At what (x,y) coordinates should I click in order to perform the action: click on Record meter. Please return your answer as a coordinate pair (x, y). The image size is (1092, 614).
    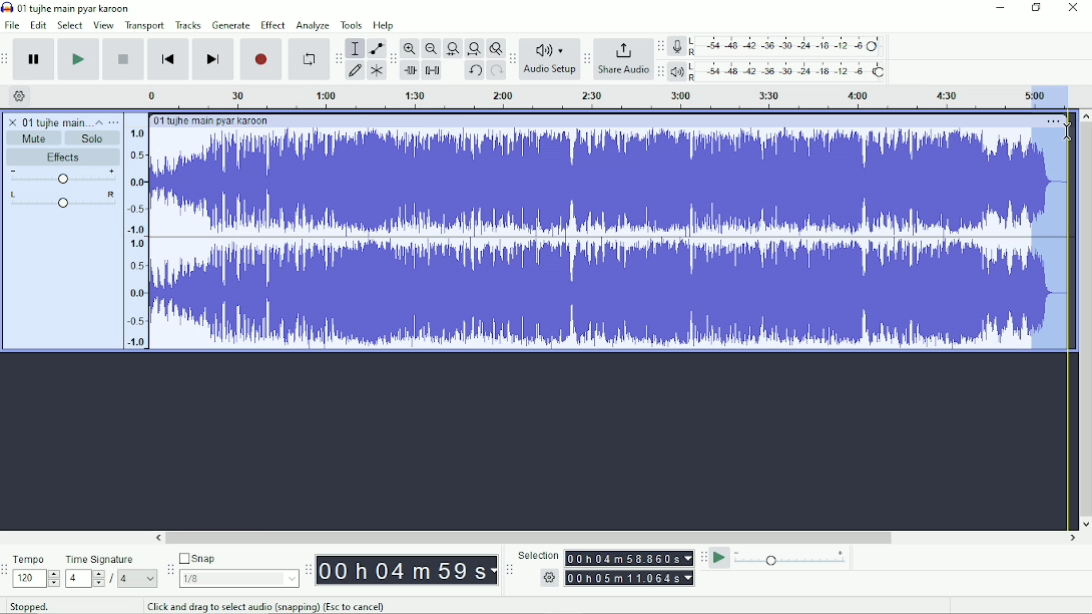
    Looking at the image, I should click on (777, 46).